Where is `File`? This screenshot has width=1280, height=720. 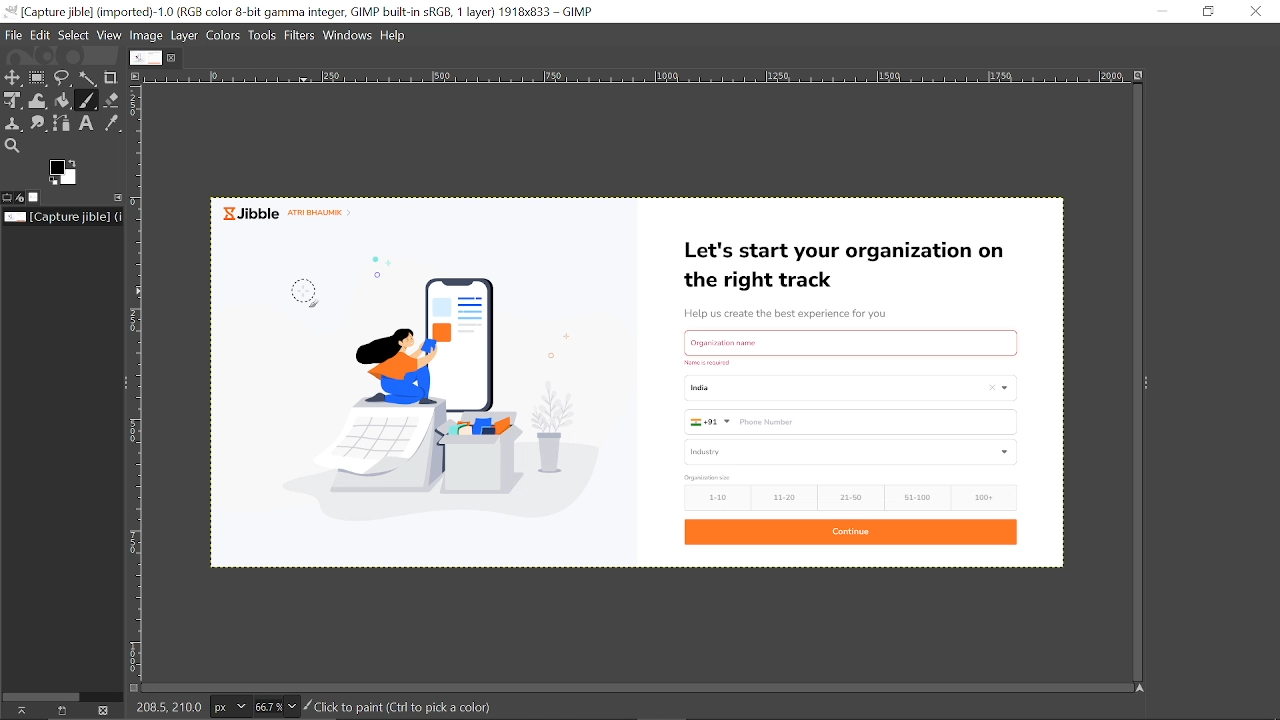
File is located at coordinates (16, 35).